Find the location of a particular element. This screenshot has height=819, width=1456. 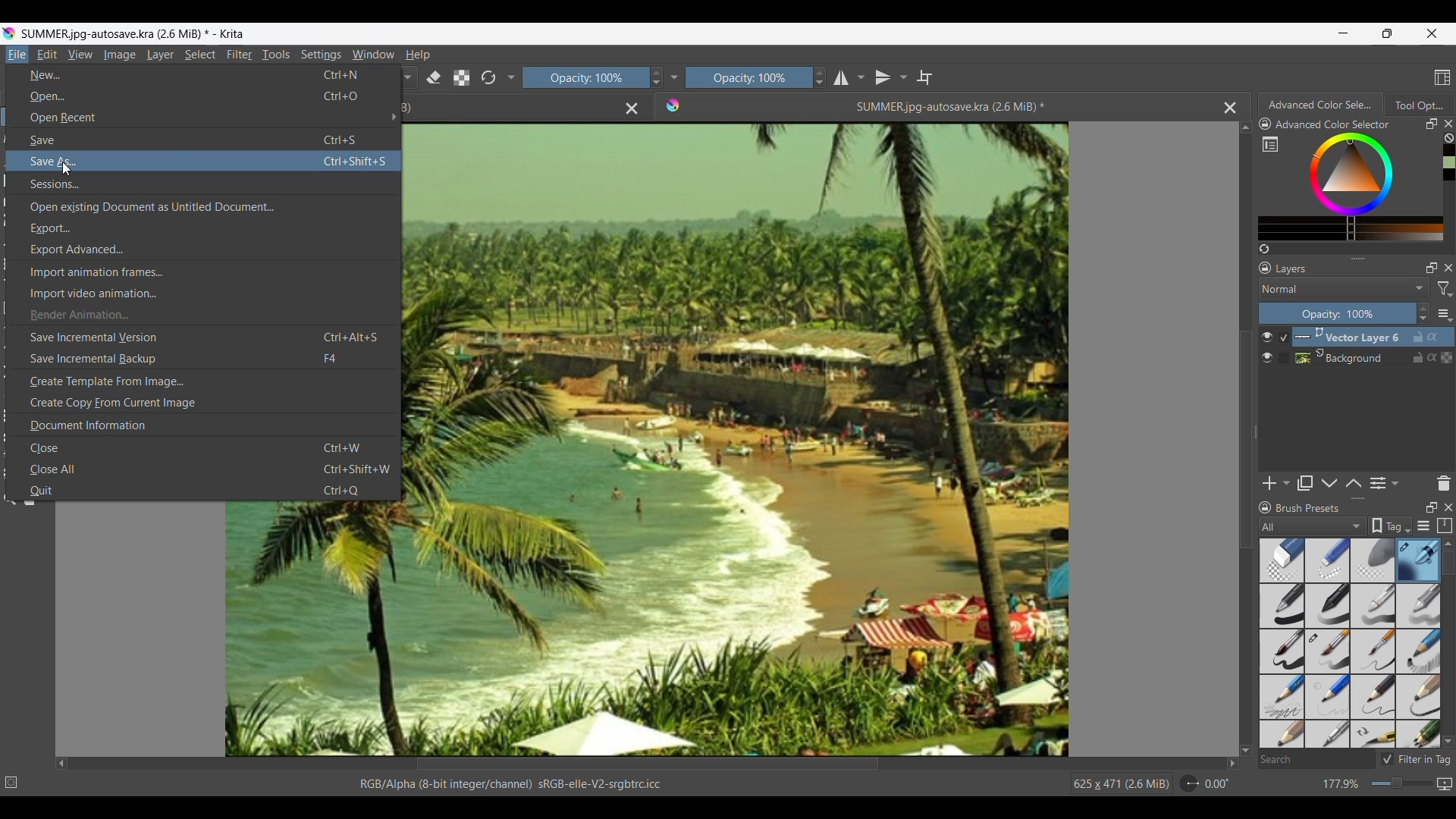

Save incremental version is located at coordinates (204, 337).